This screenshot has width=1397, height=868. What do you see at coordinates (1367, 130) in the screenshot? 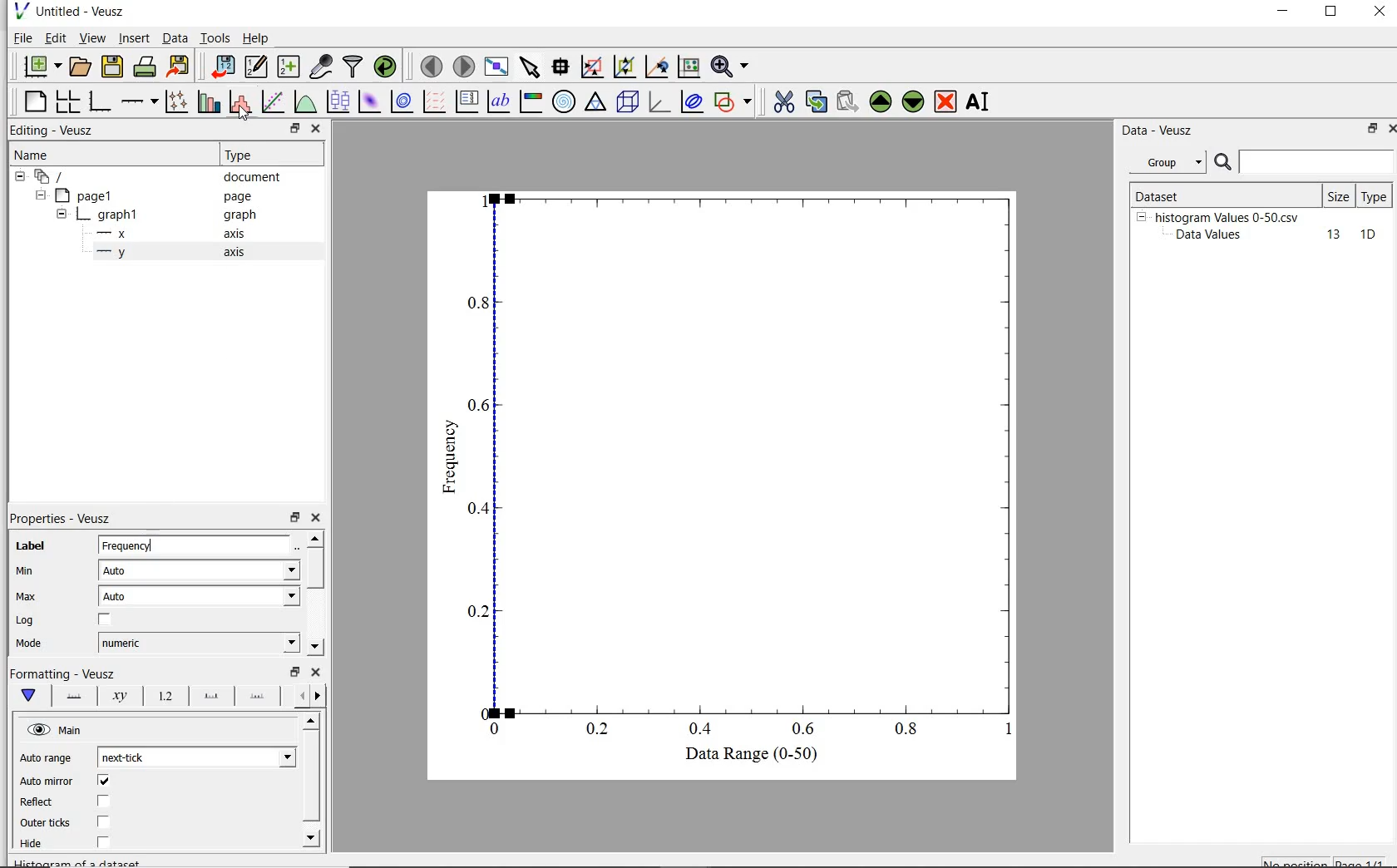
I see `restore down` at bounding box center [1367, 130].